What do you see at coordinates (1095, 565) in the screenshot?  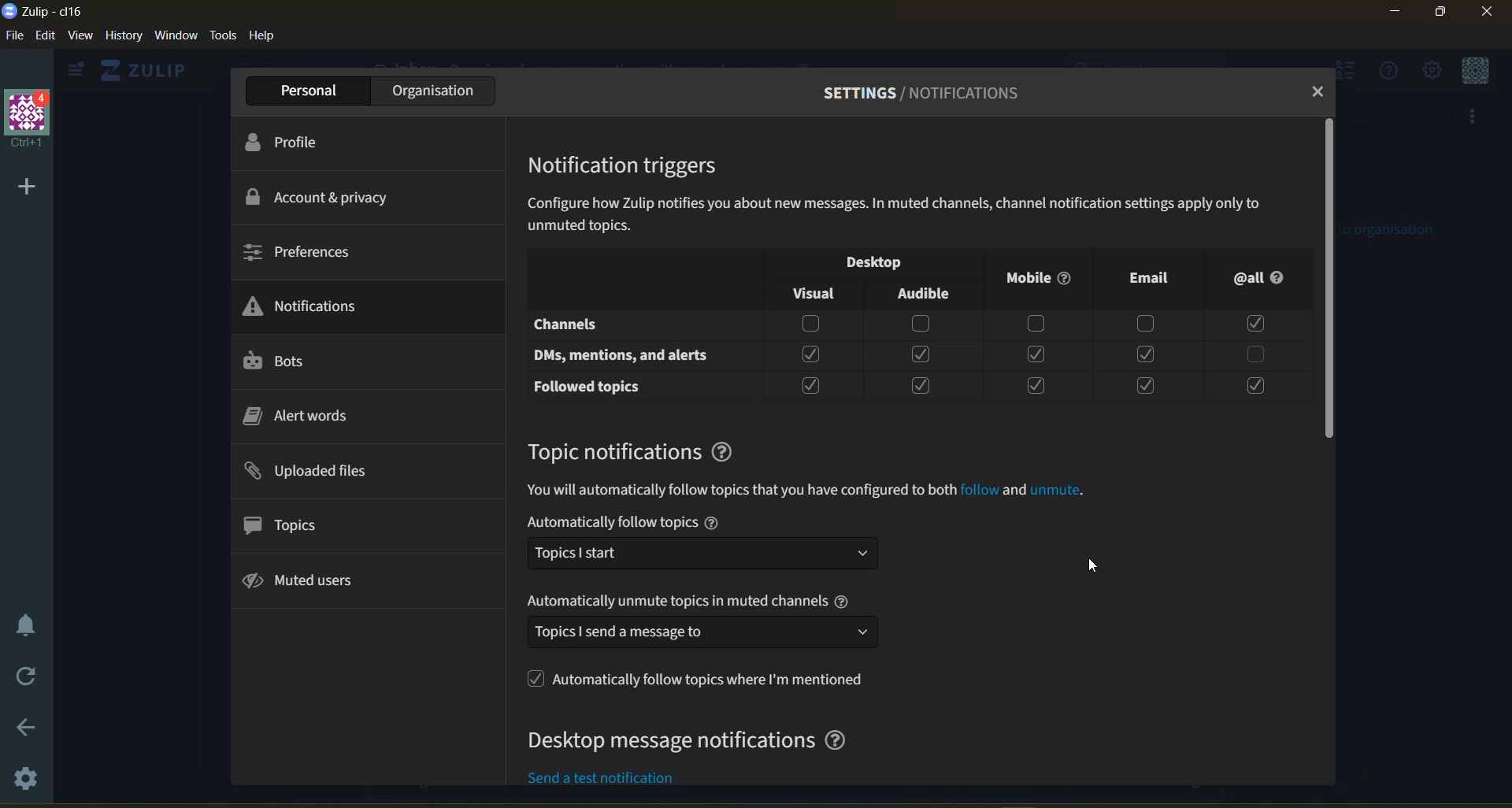 I see `Mouse Cursor` at bounding box center [1095, 565].